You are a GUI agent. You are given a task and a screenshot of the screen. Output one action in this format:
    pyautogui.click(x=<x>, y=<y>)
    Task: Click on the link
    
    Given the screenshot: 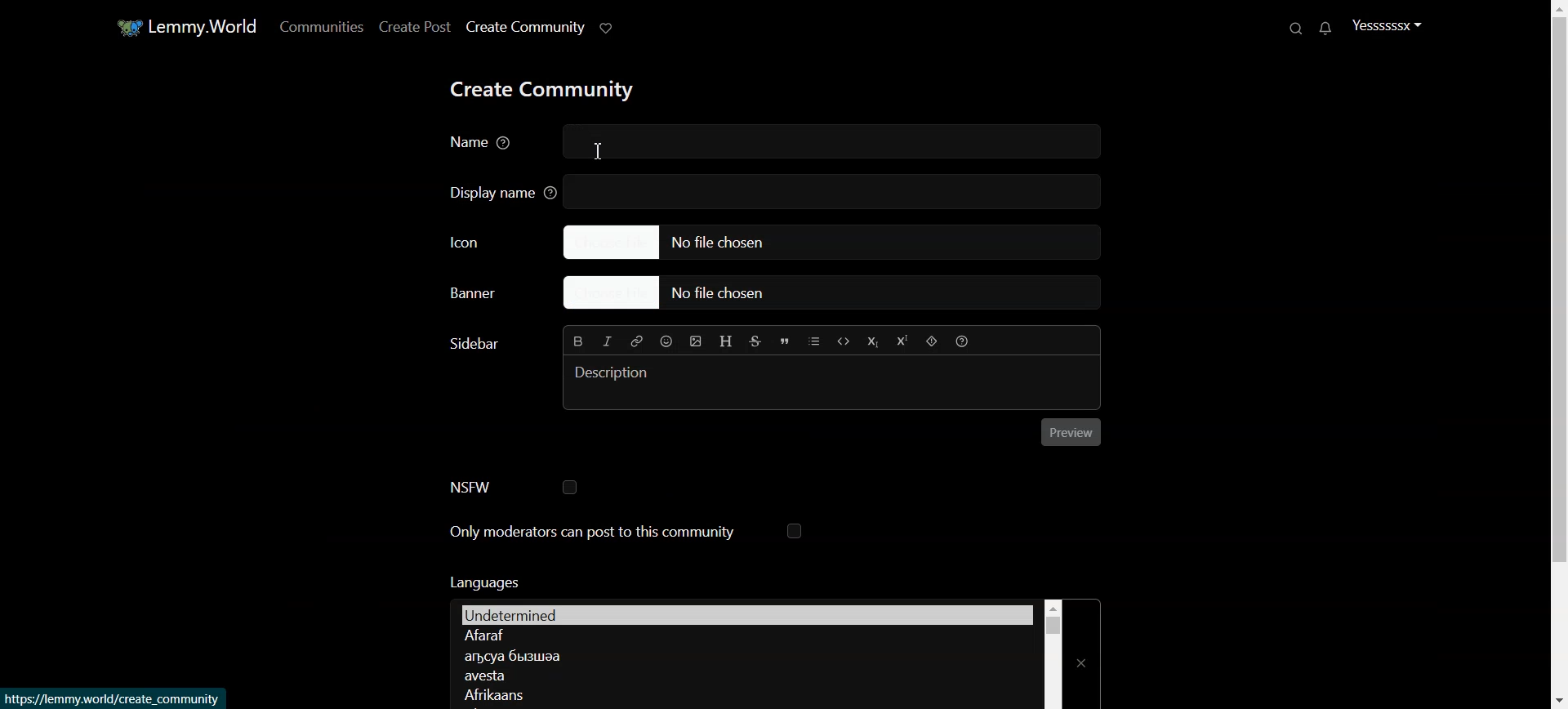 What is the action you would take?
    pyautogui.click(x=113, y=699)
    